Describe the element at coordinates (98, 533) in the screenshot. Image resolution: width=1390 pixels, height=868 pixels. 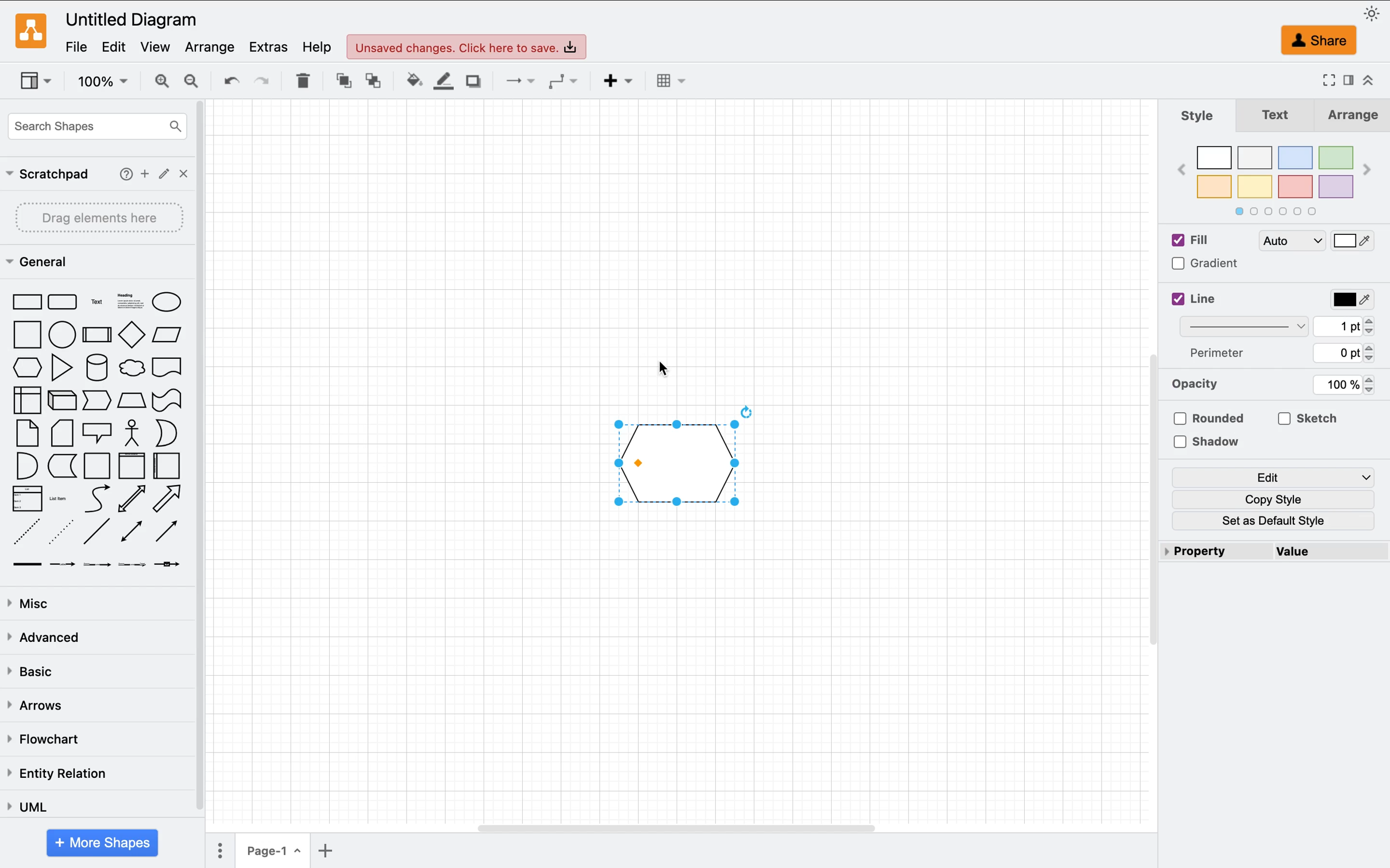
I see `line` at that location.